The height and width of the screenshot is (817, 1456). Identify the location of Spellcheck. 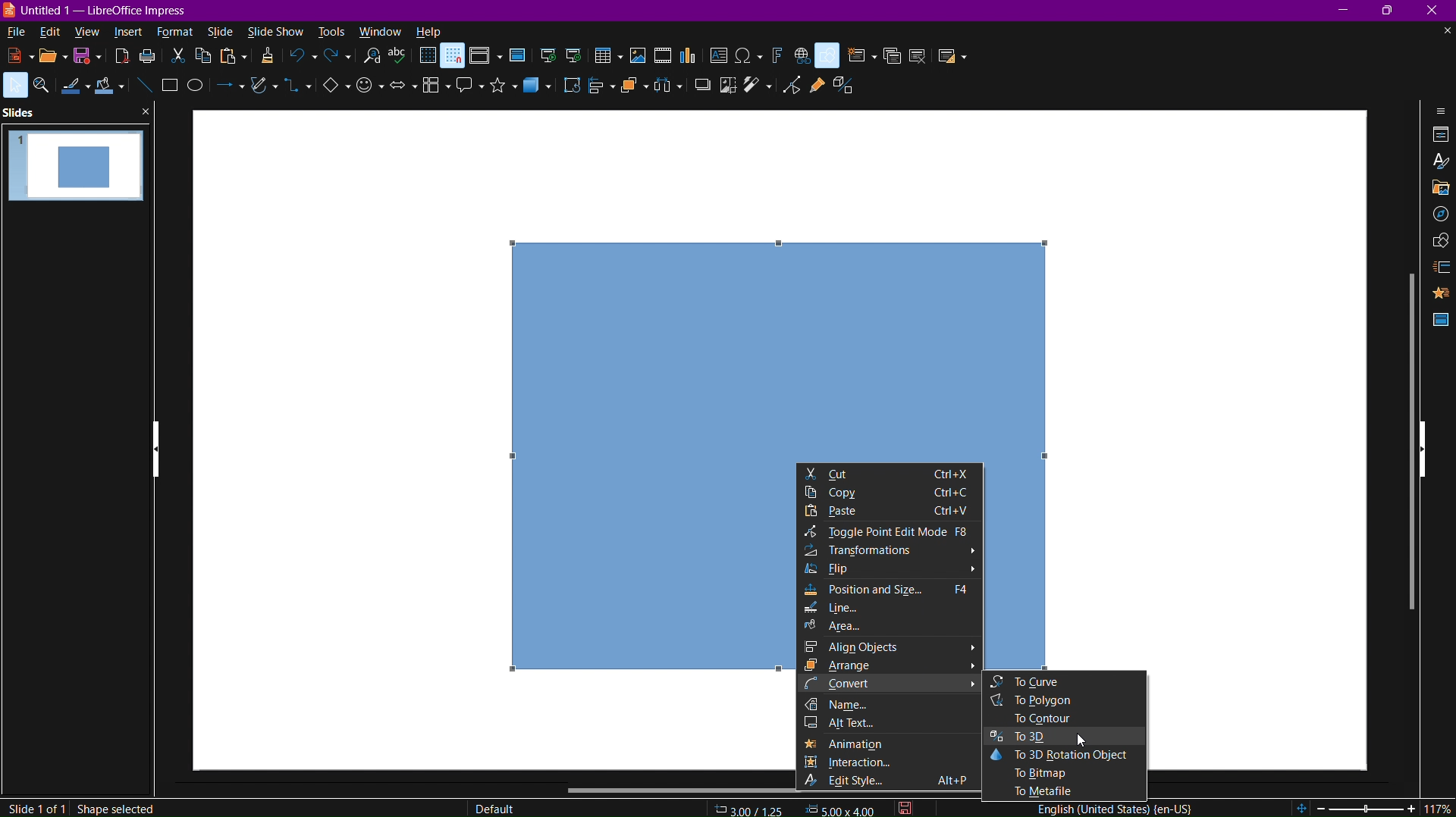
(401, 59).